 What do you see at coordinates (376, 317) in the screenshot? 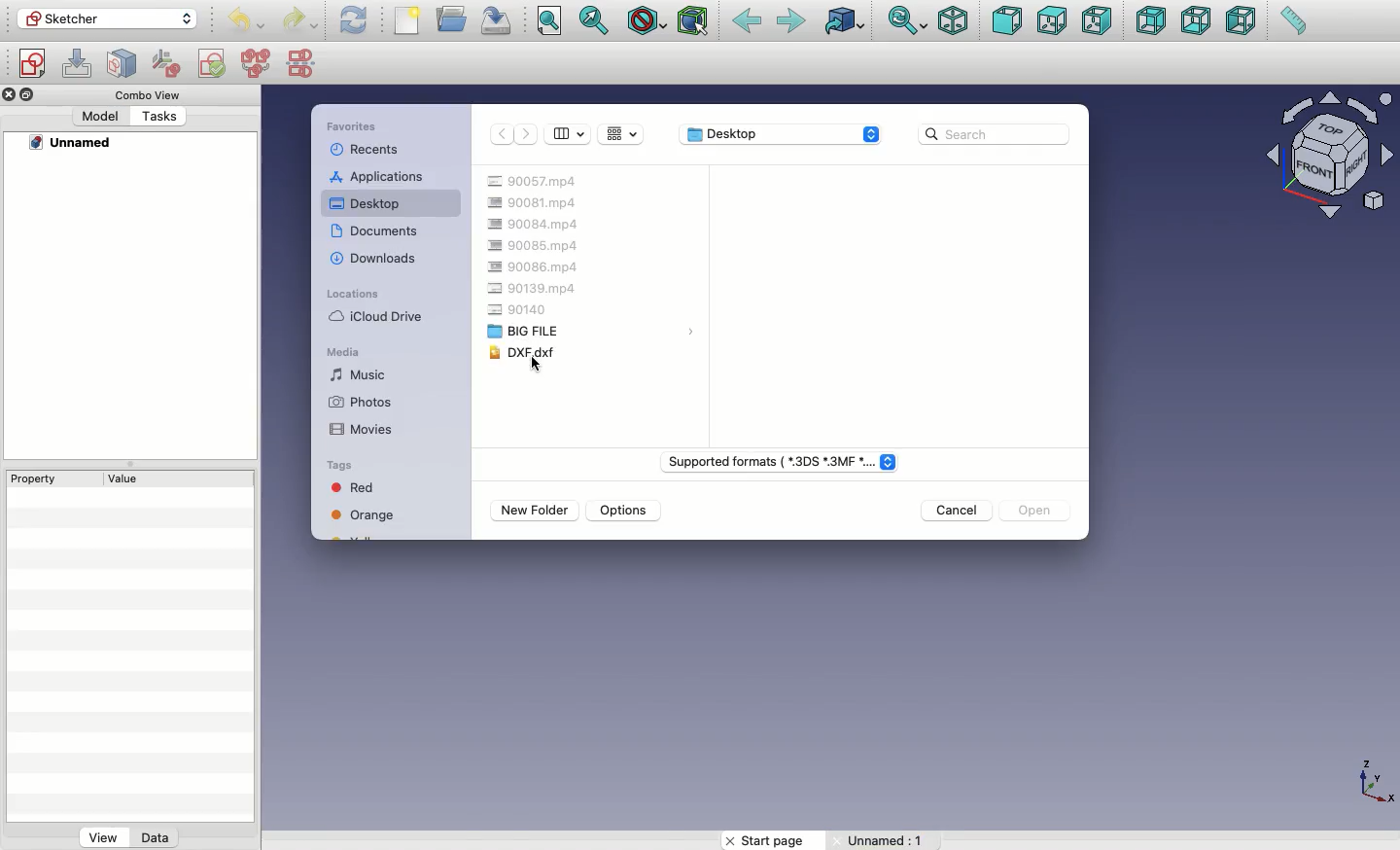
I see `iCloud` at bounding box center [376, 317].